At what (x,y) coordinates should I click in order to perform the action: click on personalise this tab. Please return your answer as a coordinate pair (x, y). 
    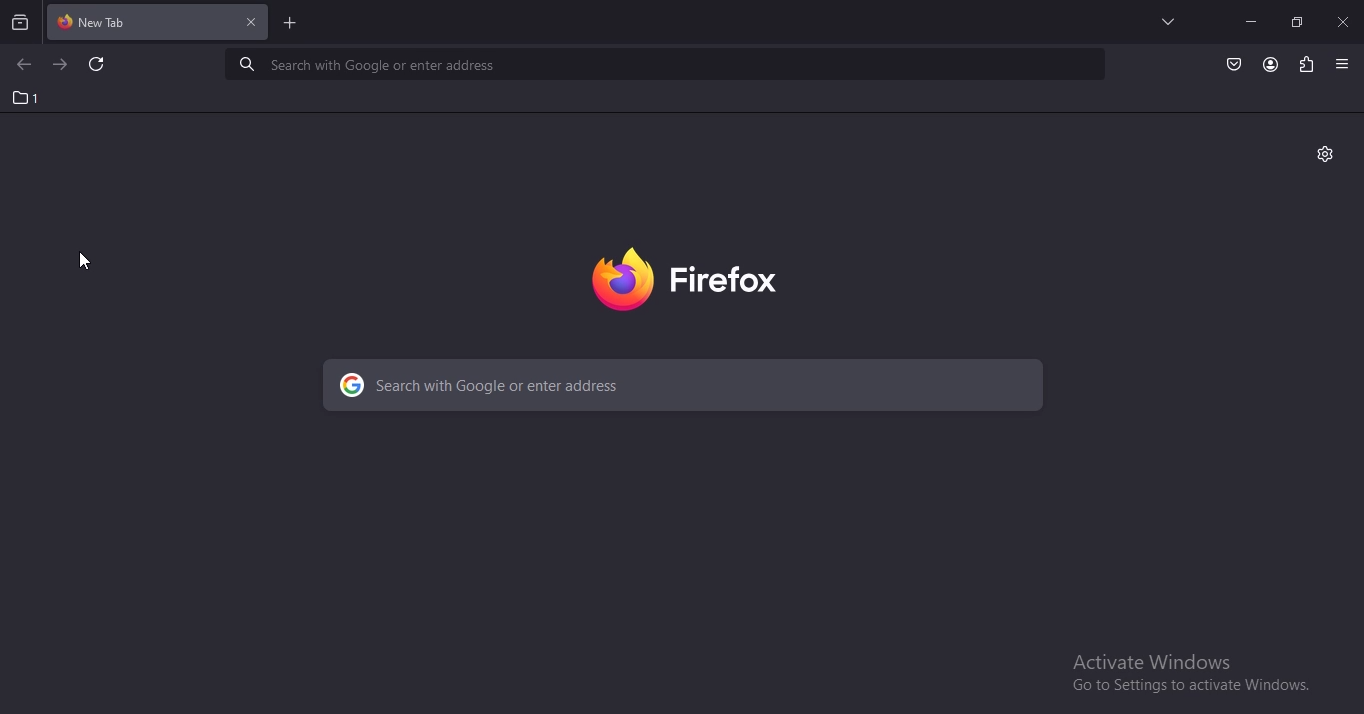
    Looking at the image, I should click on (1329, 154).